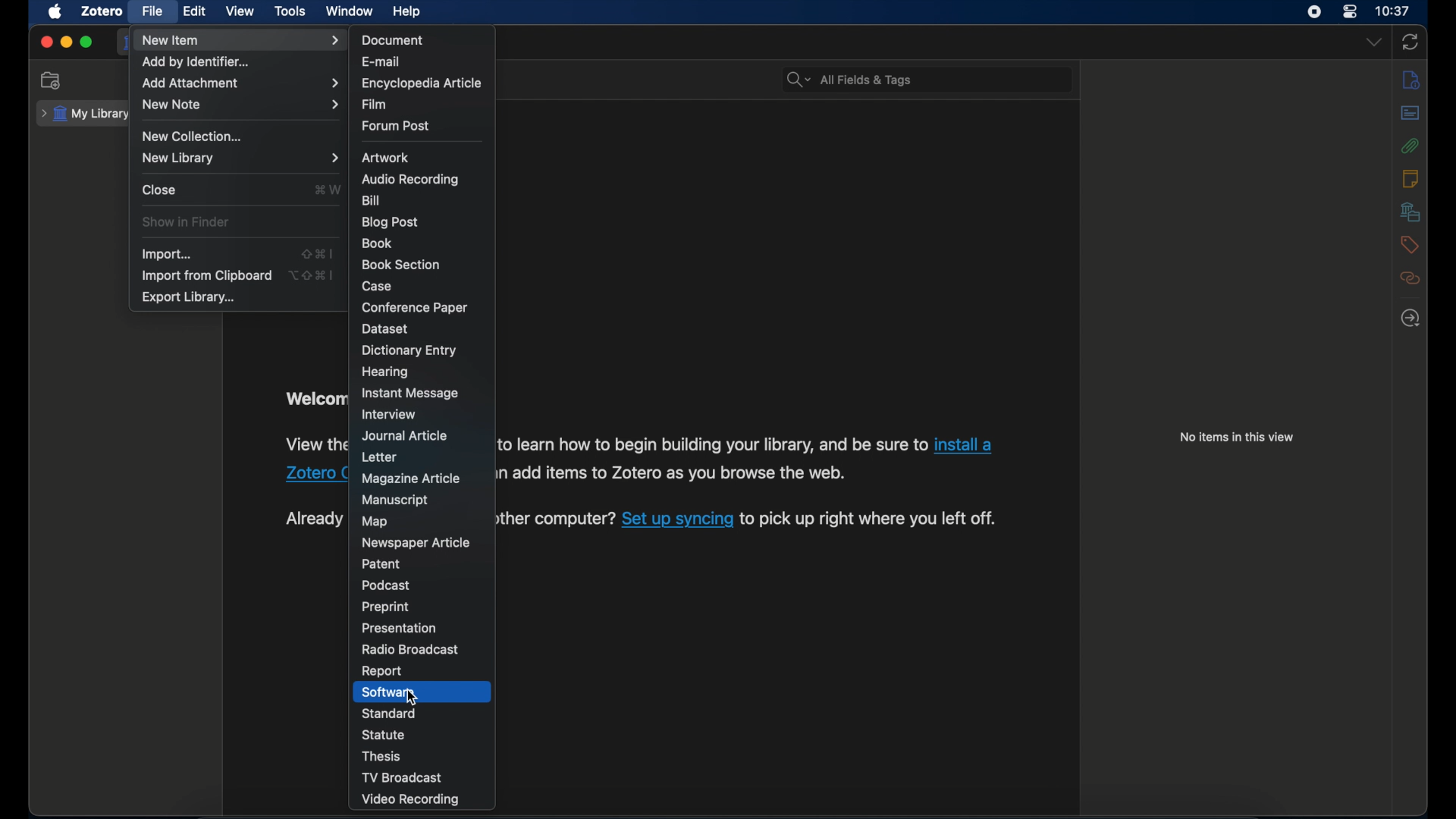  I want to click on audio recording, so click(409, 178).